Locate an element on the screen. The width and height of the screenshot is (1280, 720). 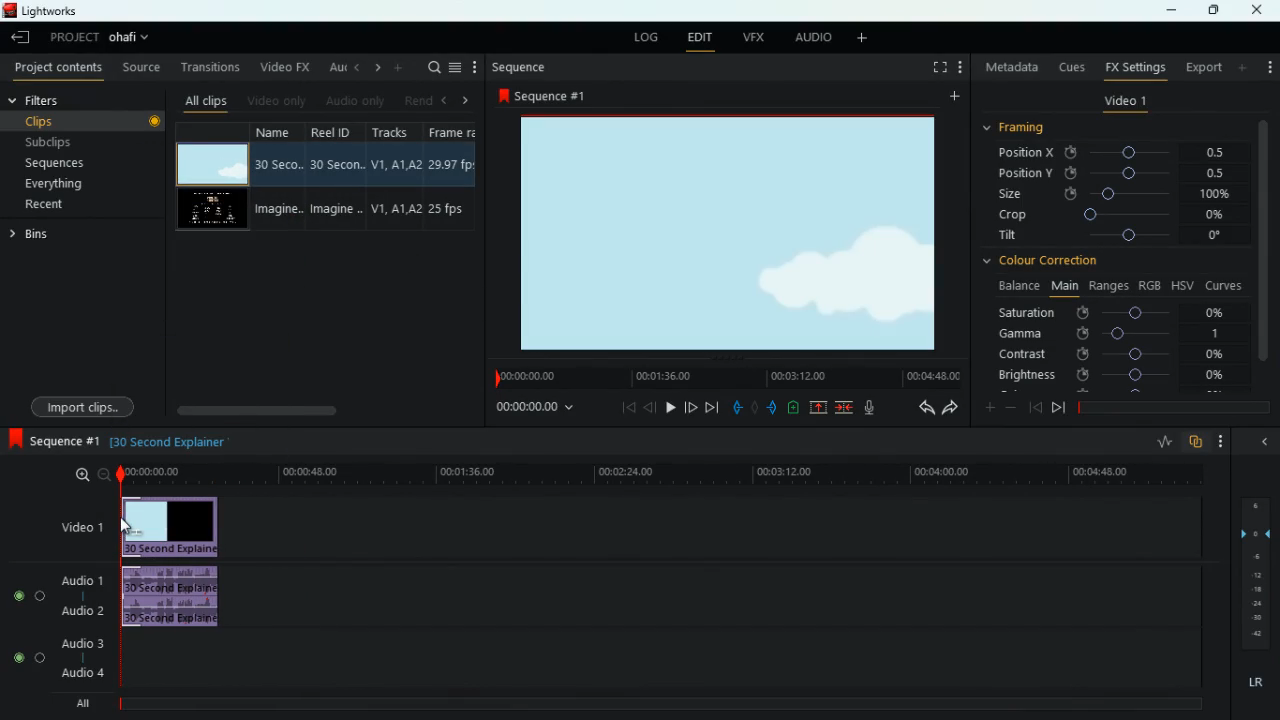
screen is located at coordinates (211, 164).